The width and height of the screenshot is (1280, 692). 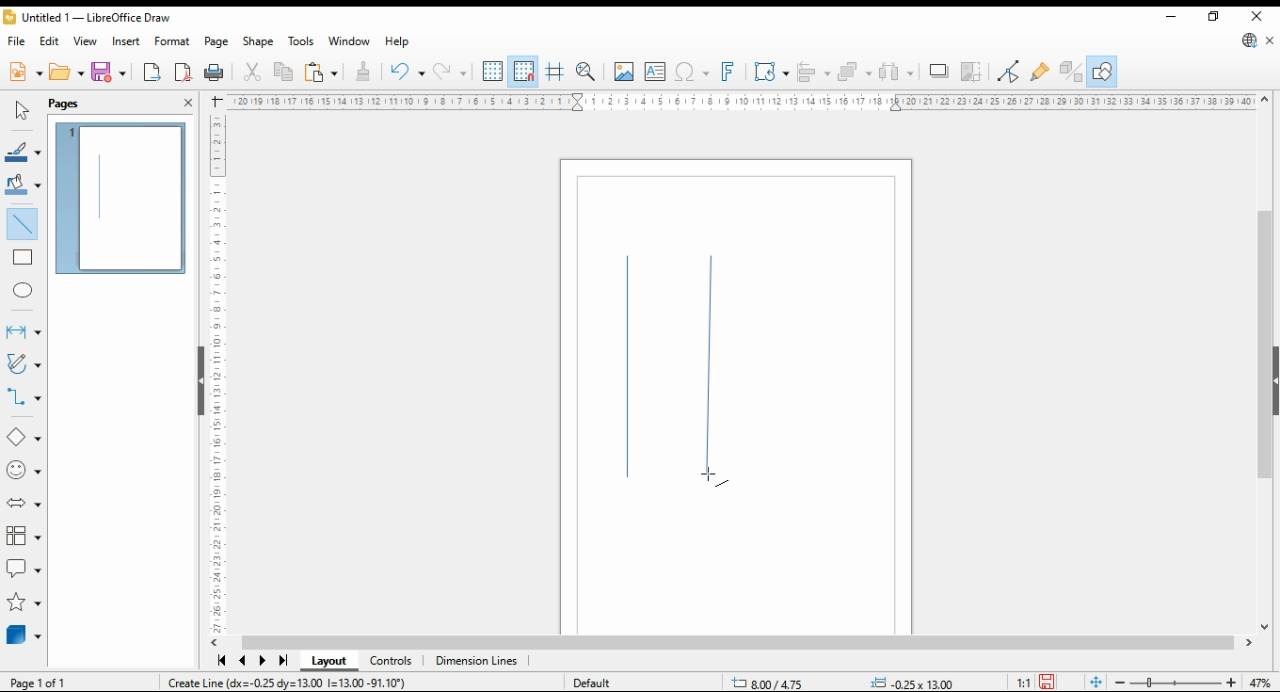 What do you see at coordinates (632, 373) in the screenshot?
I see `new shape - line` at bounding box center [632, 373].